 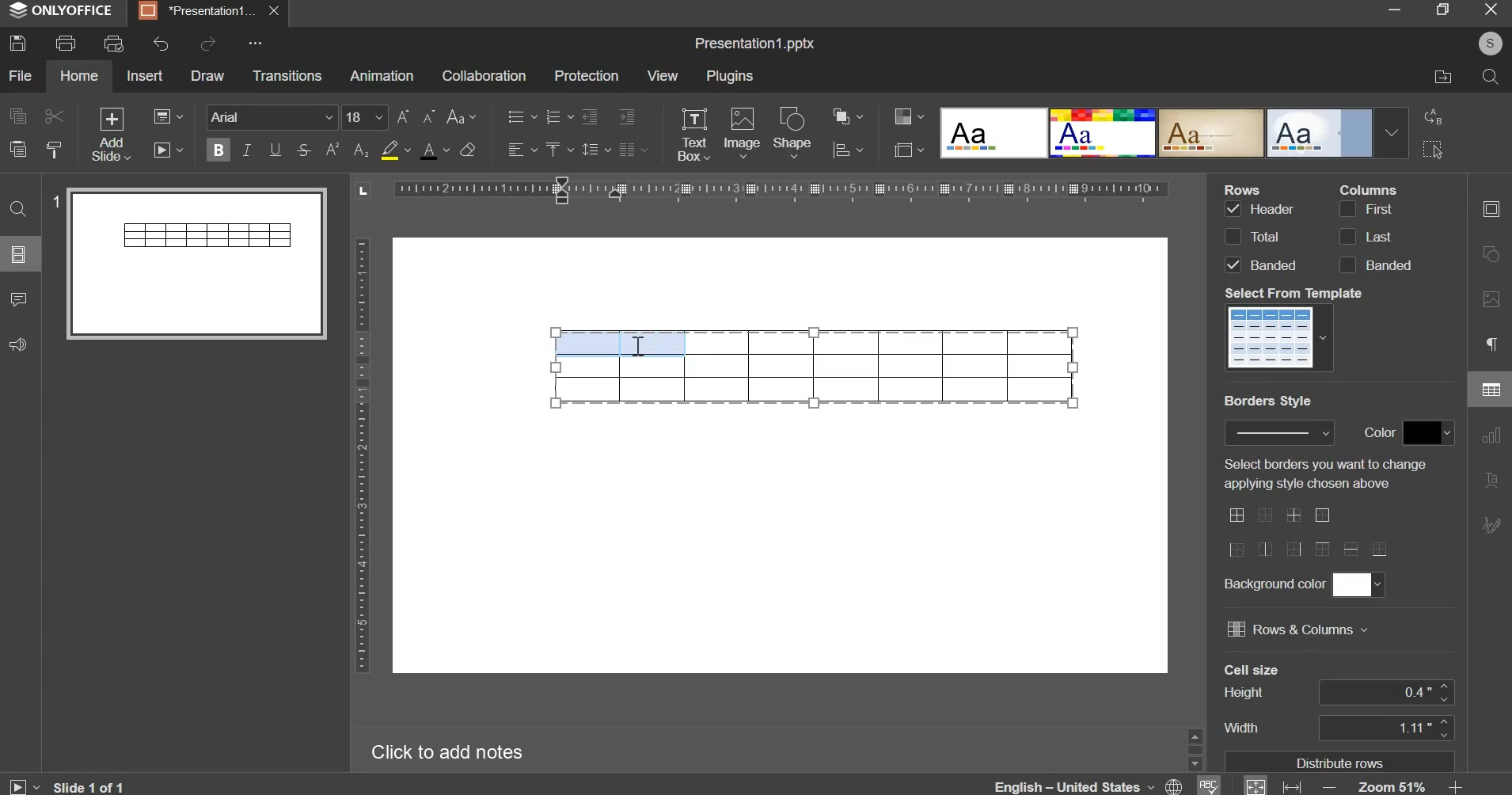 I want to click on font, so click(x=273, y=116).